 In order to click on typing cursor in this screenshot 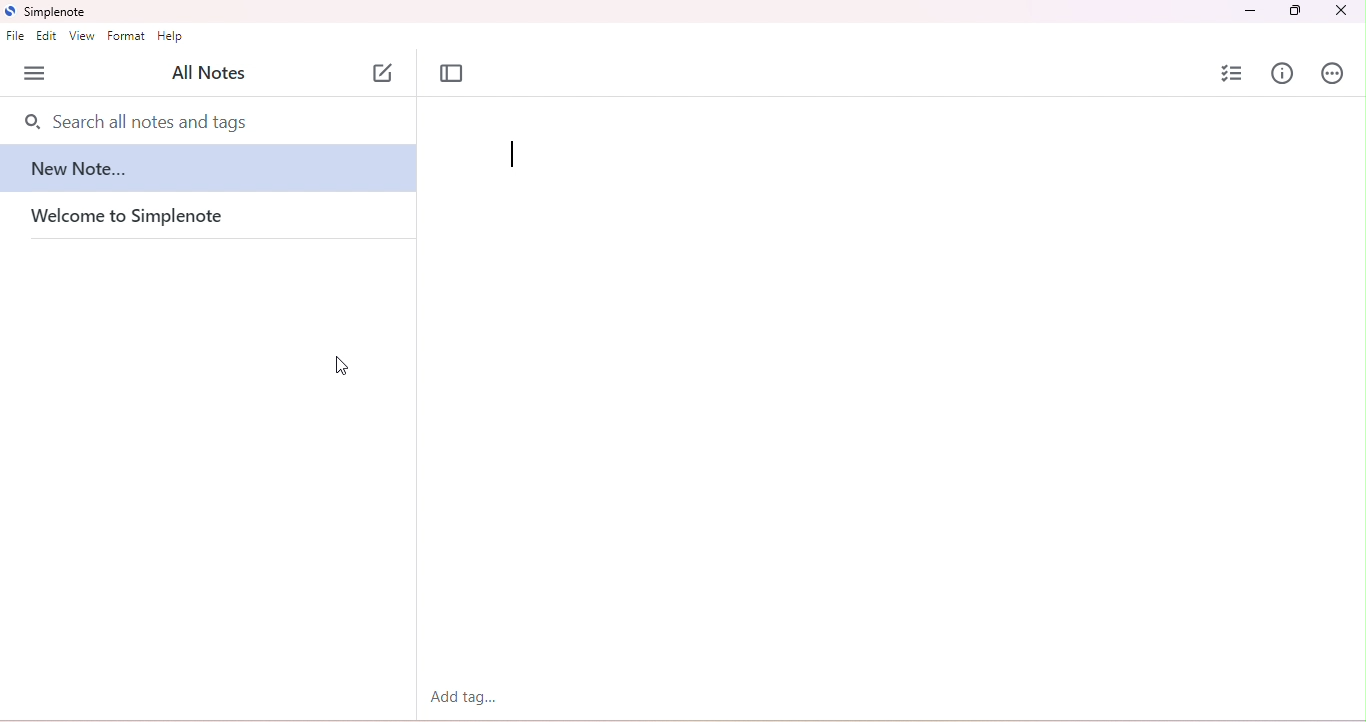, I will do `click(514, 155)`.